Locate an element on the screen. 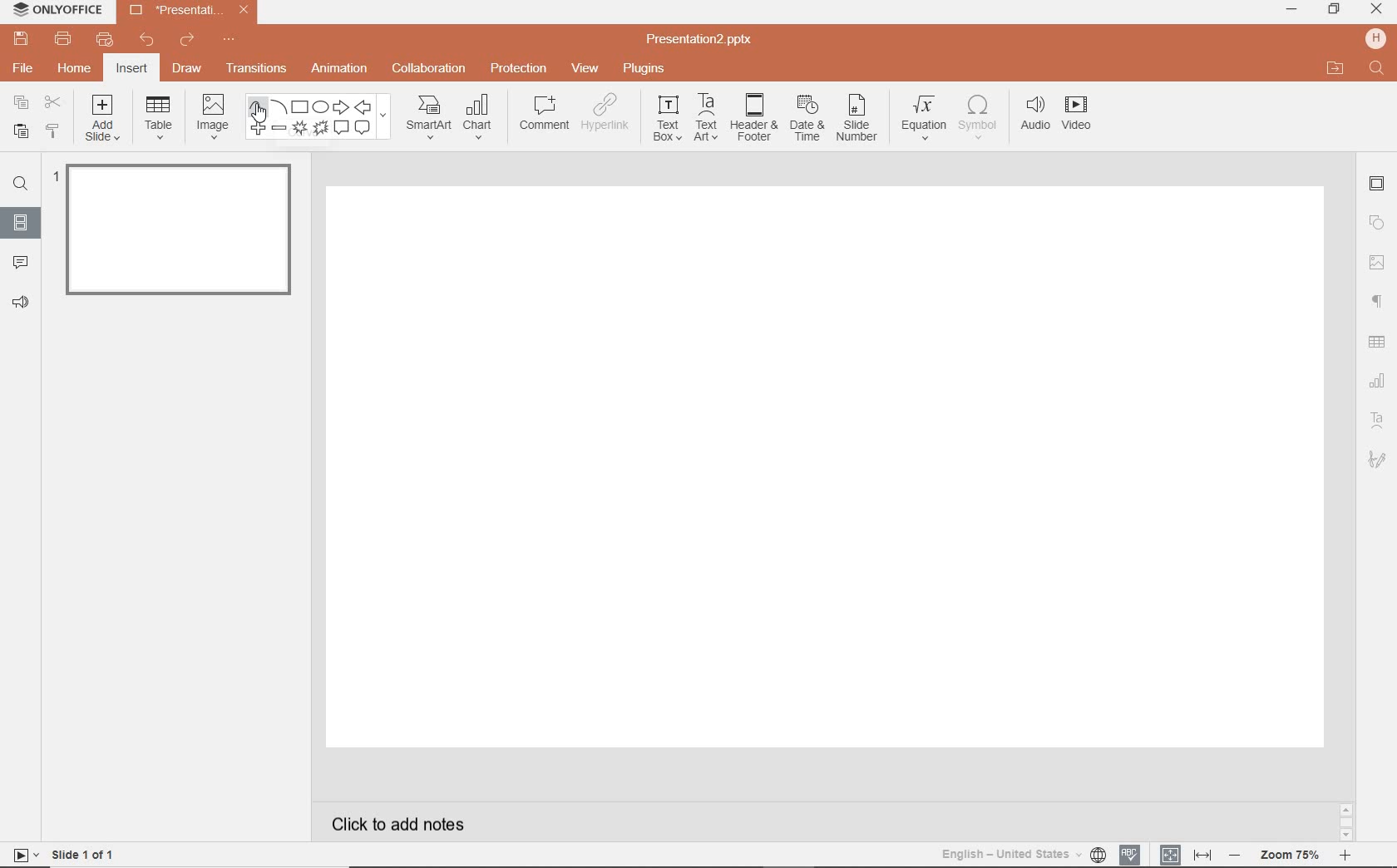 This screenshot has width=1397, height=868. TABLE is located at coordinates (159, 119).